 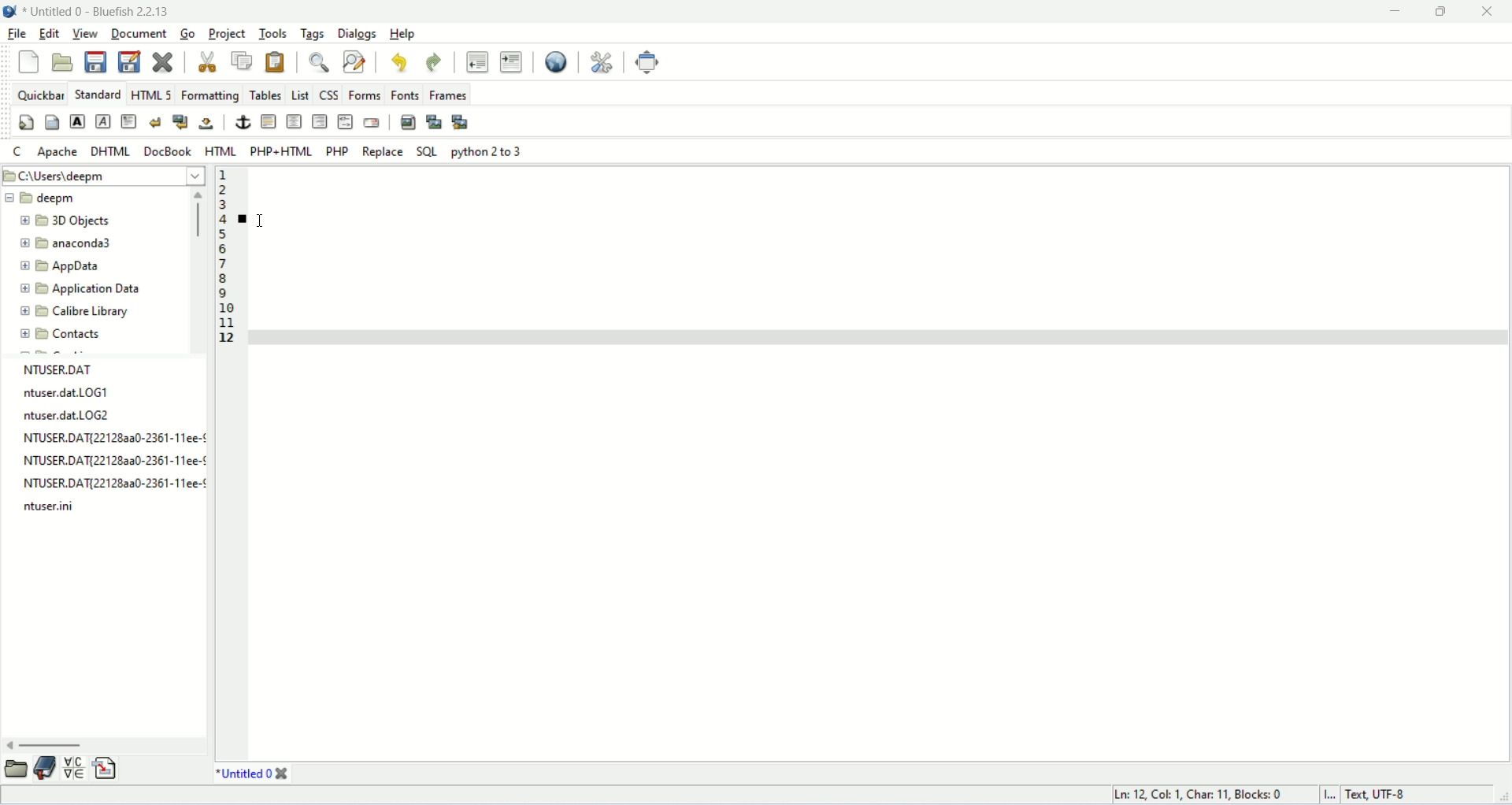 I want to click on redo, so click(x=434, y=63).